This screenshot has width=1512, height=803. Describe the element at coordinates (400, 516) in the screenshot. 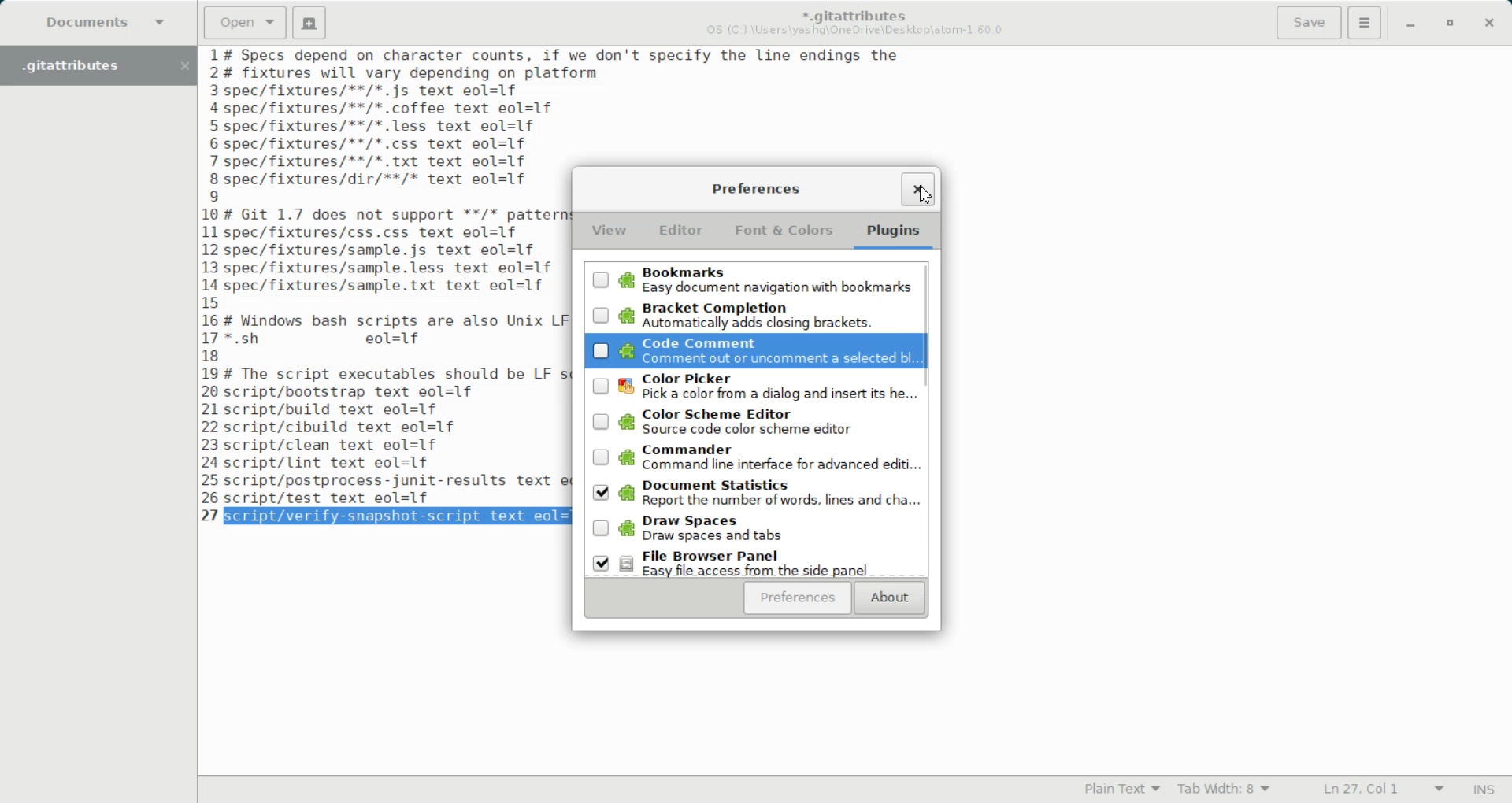

I see `script/verify-snapshot-script text eol=lf` at that location.